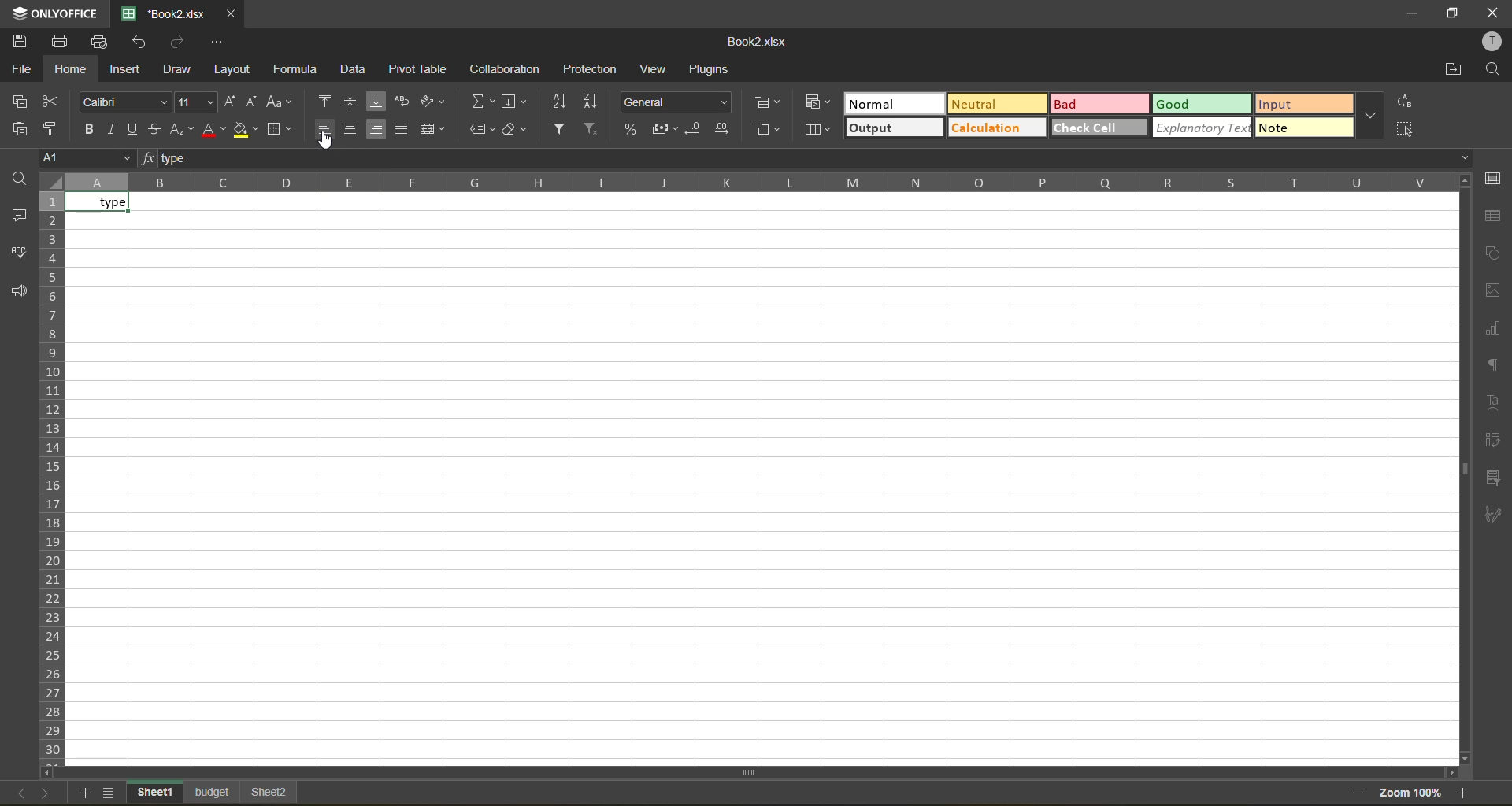  Describe the element at coordinates (1494, 442) in the screenshot. I see `pivot table` at that location.